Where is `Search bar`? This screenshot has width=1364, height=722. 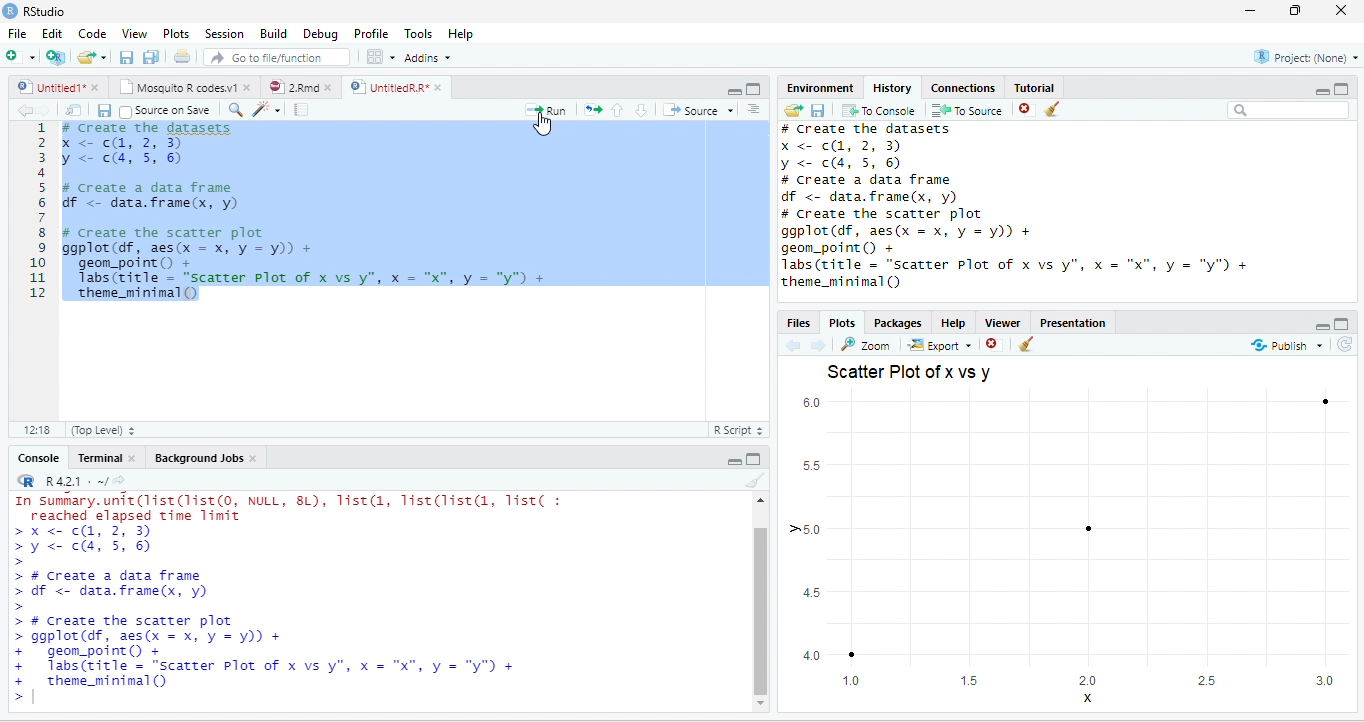
Search bar is located at coordinates (1288, 111).